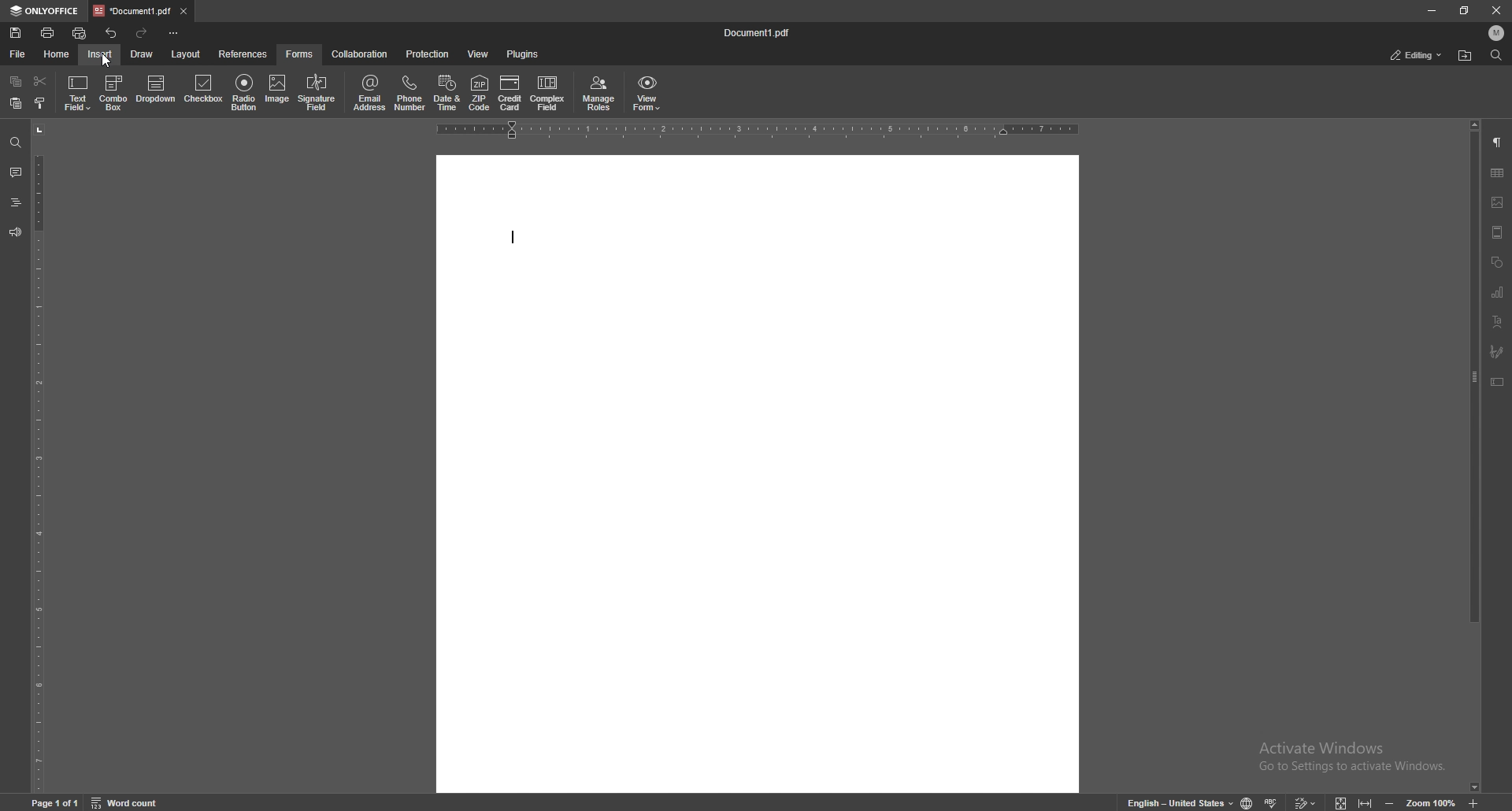  I want to click on phone number, so click(411, 91).